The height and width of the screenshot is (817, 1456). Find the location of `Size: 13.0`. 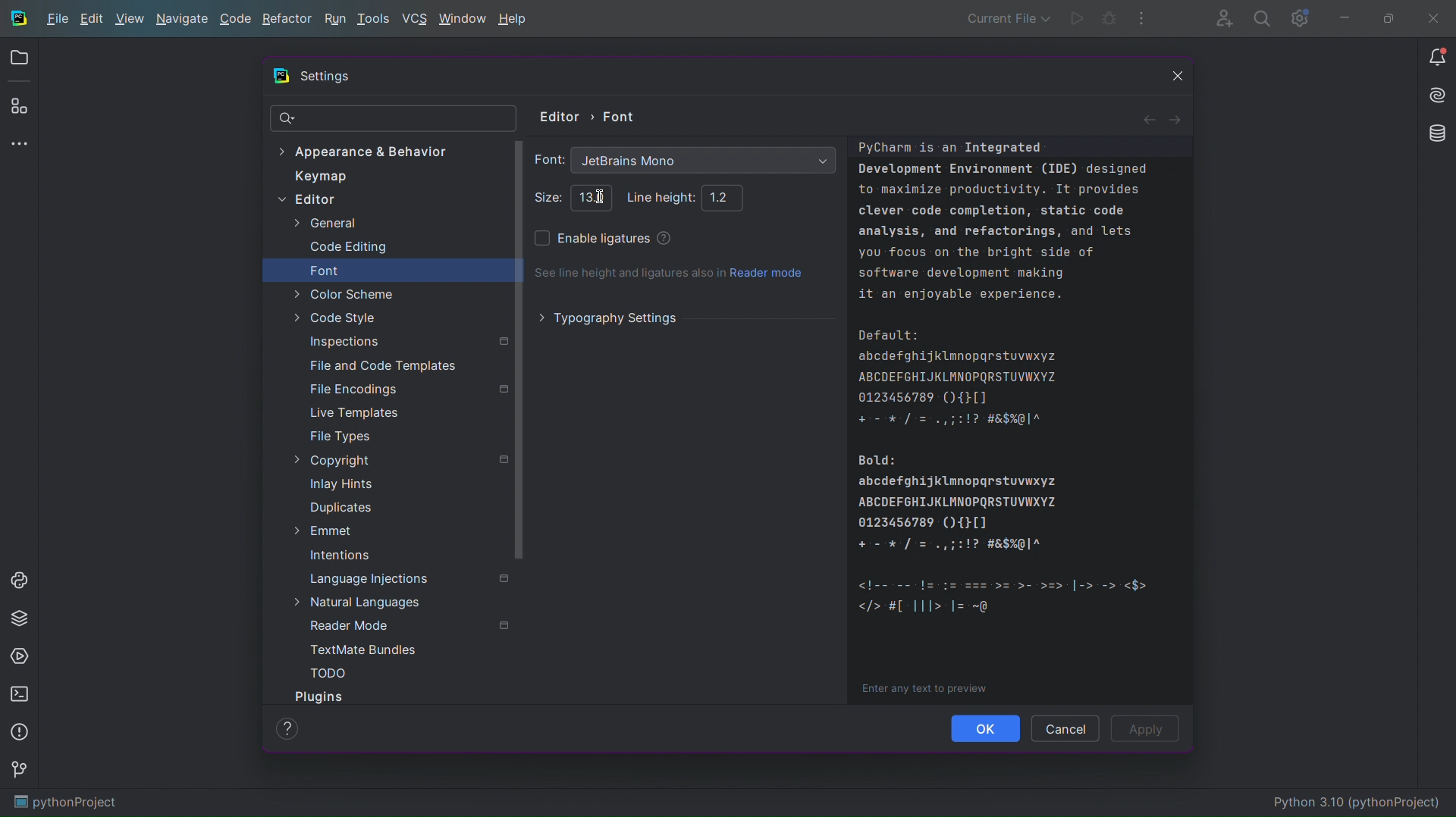

Size: 13.0 is located at coordinates (591, 196).